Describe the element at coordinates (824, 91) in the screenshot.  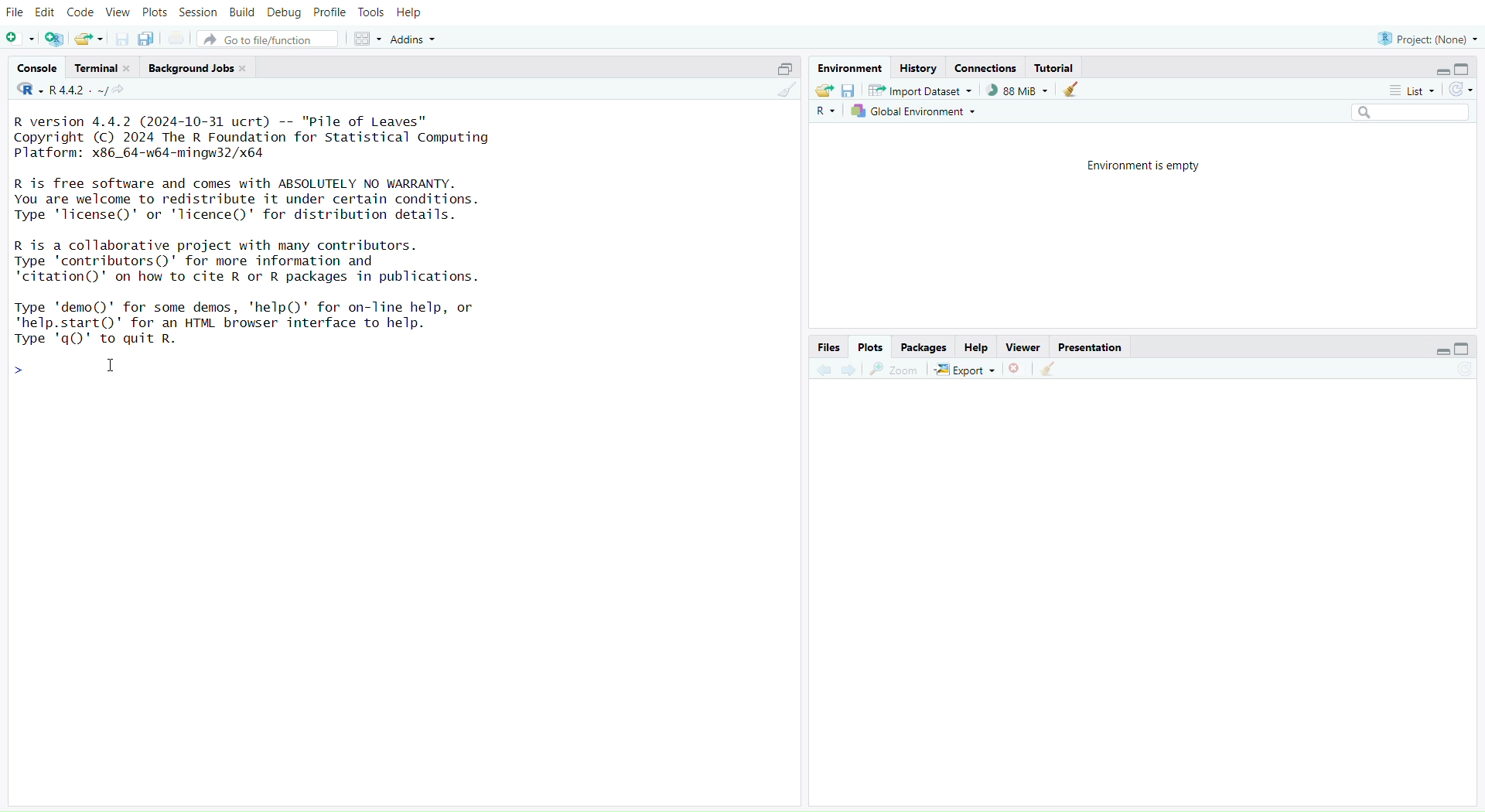
I see `load workspace` at that location.